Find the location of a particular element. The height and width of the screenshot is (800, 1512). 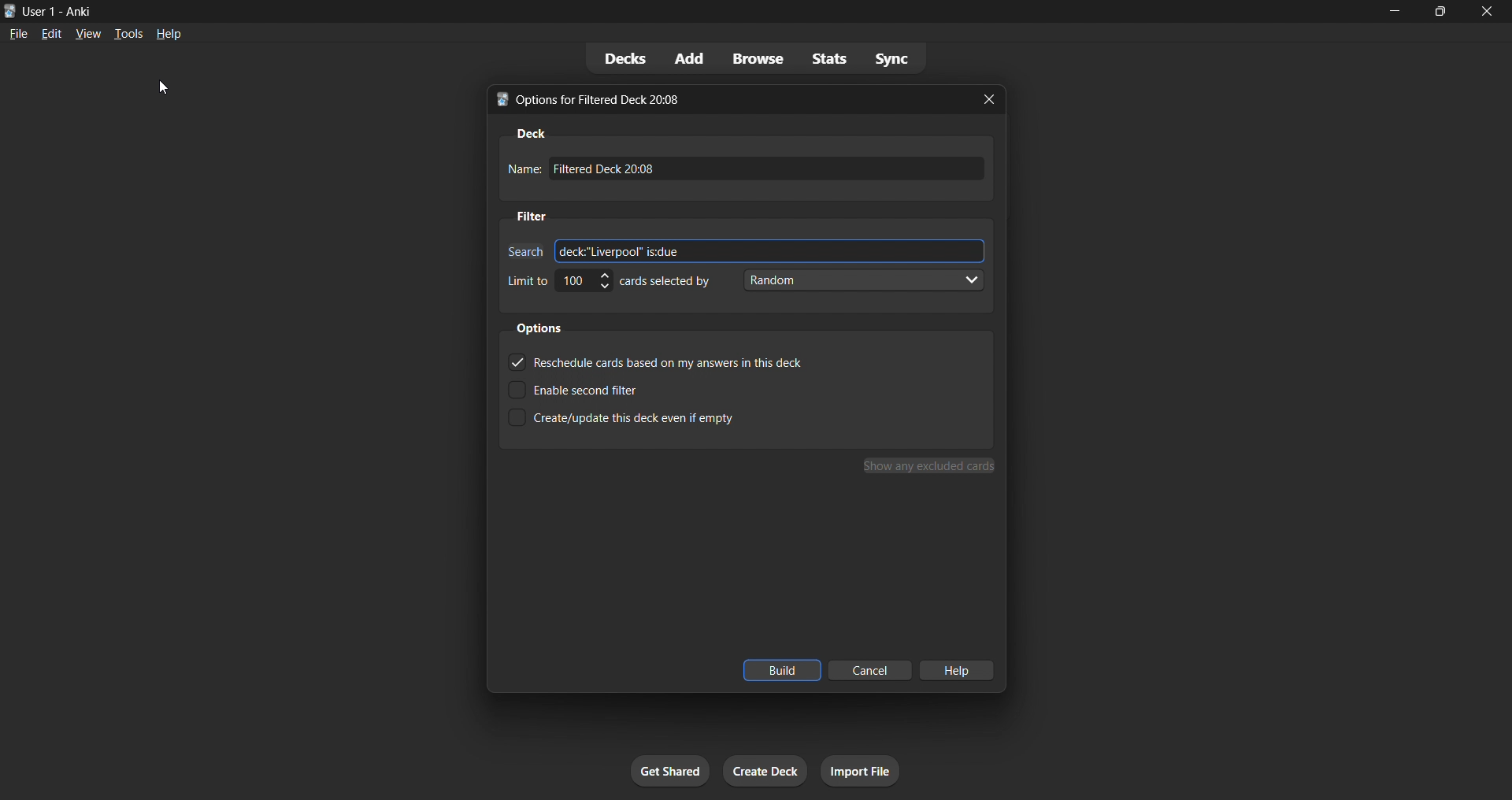

get shared is located at coordinates (672, 770).